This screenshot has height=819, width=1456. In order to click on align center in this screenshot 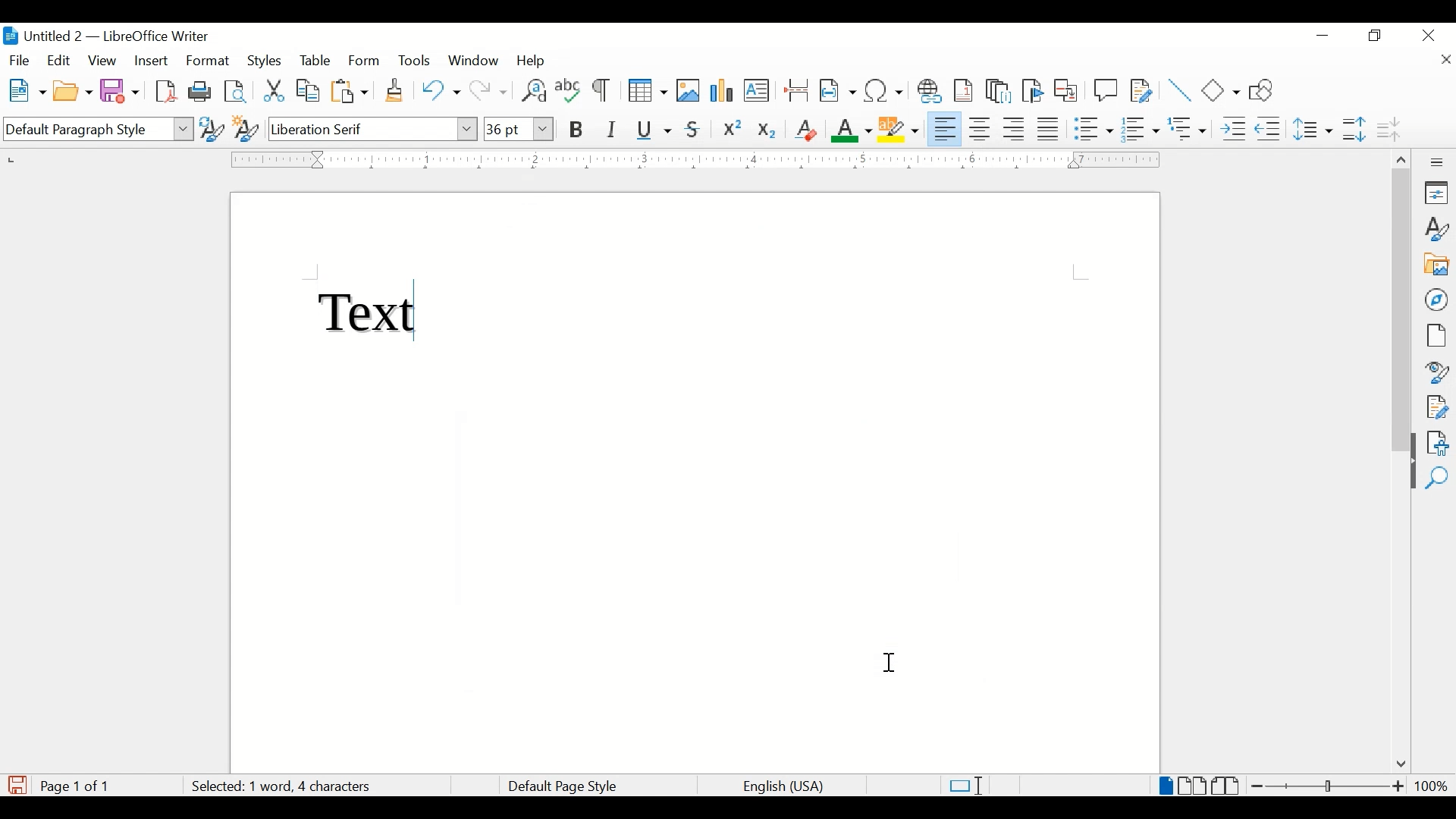, I will do `click(982, 129)`.